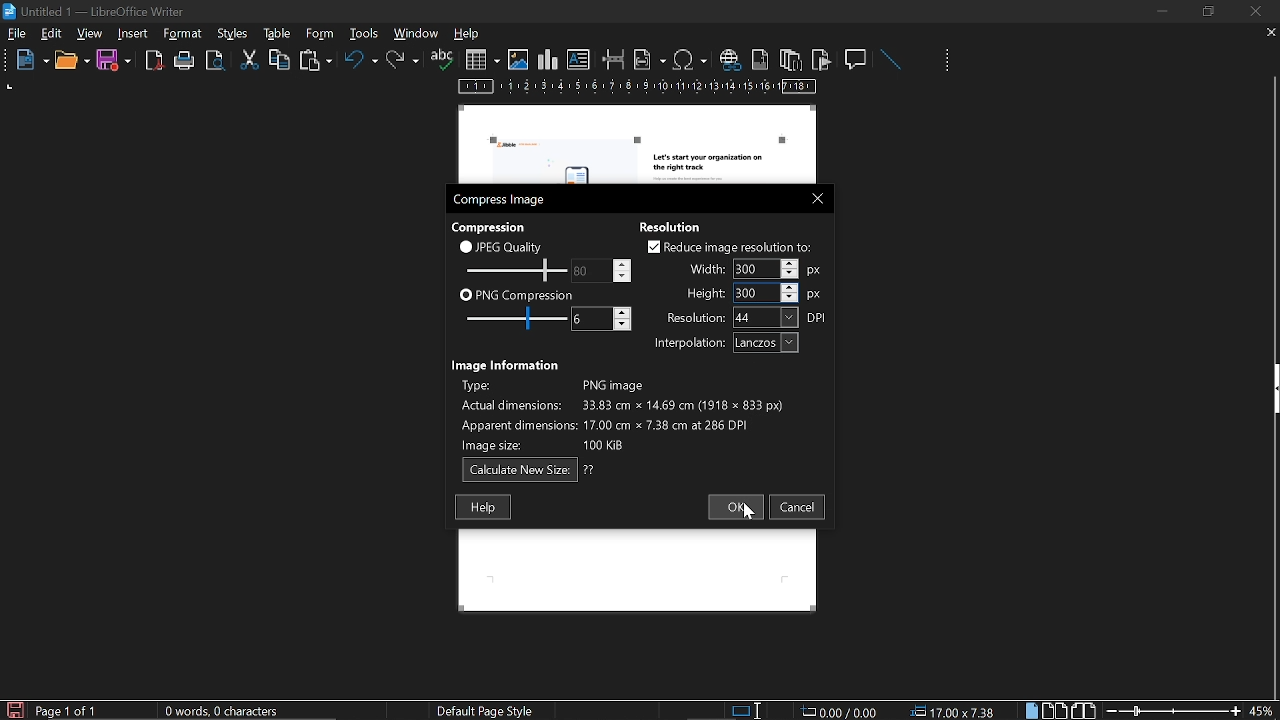 The width and height of the screenshot is (1280, 720). I want to click on export as pdf, so click(155, 61).